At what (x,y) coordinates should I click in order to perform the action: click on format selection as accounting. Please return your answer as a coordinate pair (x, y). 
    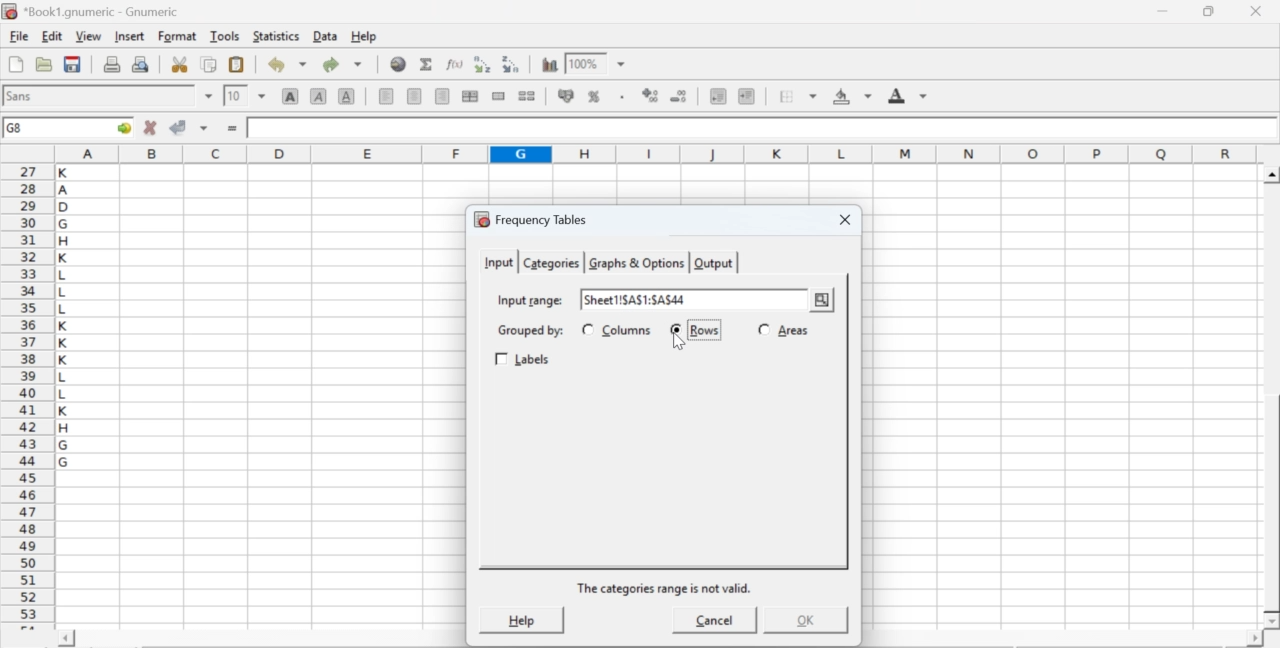
    Looking at the image, I should click on (566, 95).